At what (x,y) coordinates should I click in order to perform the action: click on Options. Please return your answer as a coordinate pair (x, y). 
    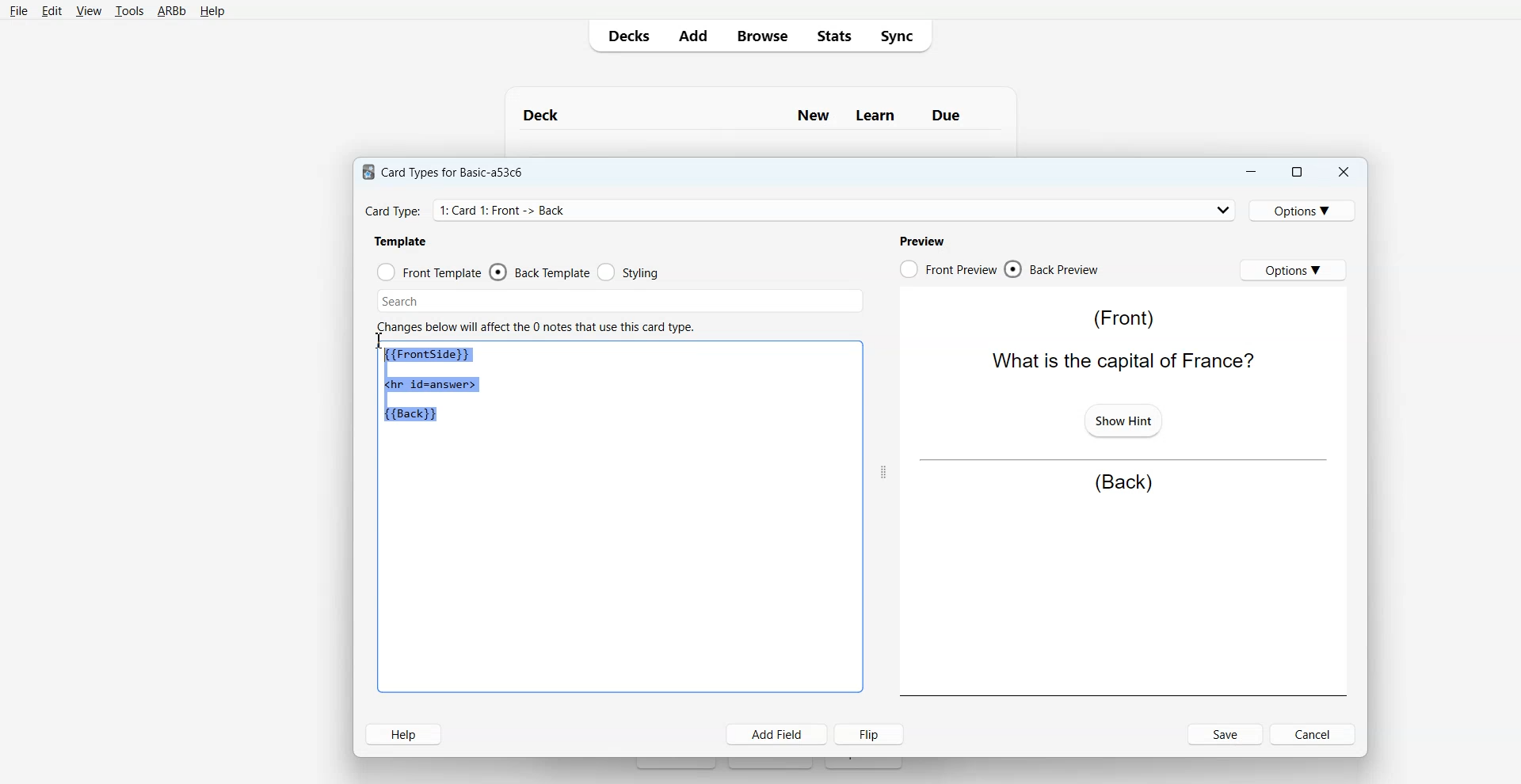
    Looking at the image, I should click on (1293, 269).